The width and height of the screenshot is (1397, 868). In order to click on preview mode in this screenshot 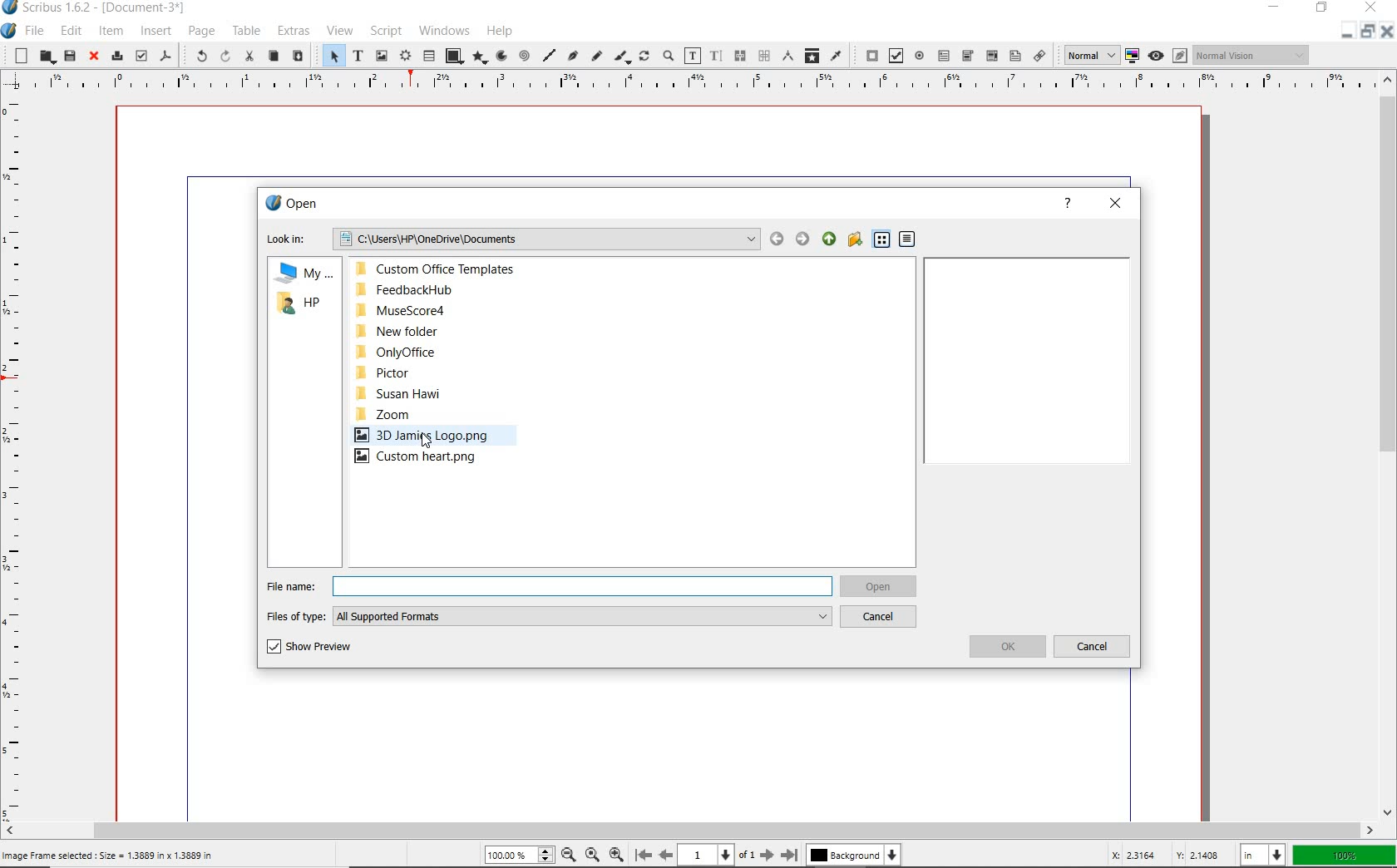, I will do `click(1168, 55)`.